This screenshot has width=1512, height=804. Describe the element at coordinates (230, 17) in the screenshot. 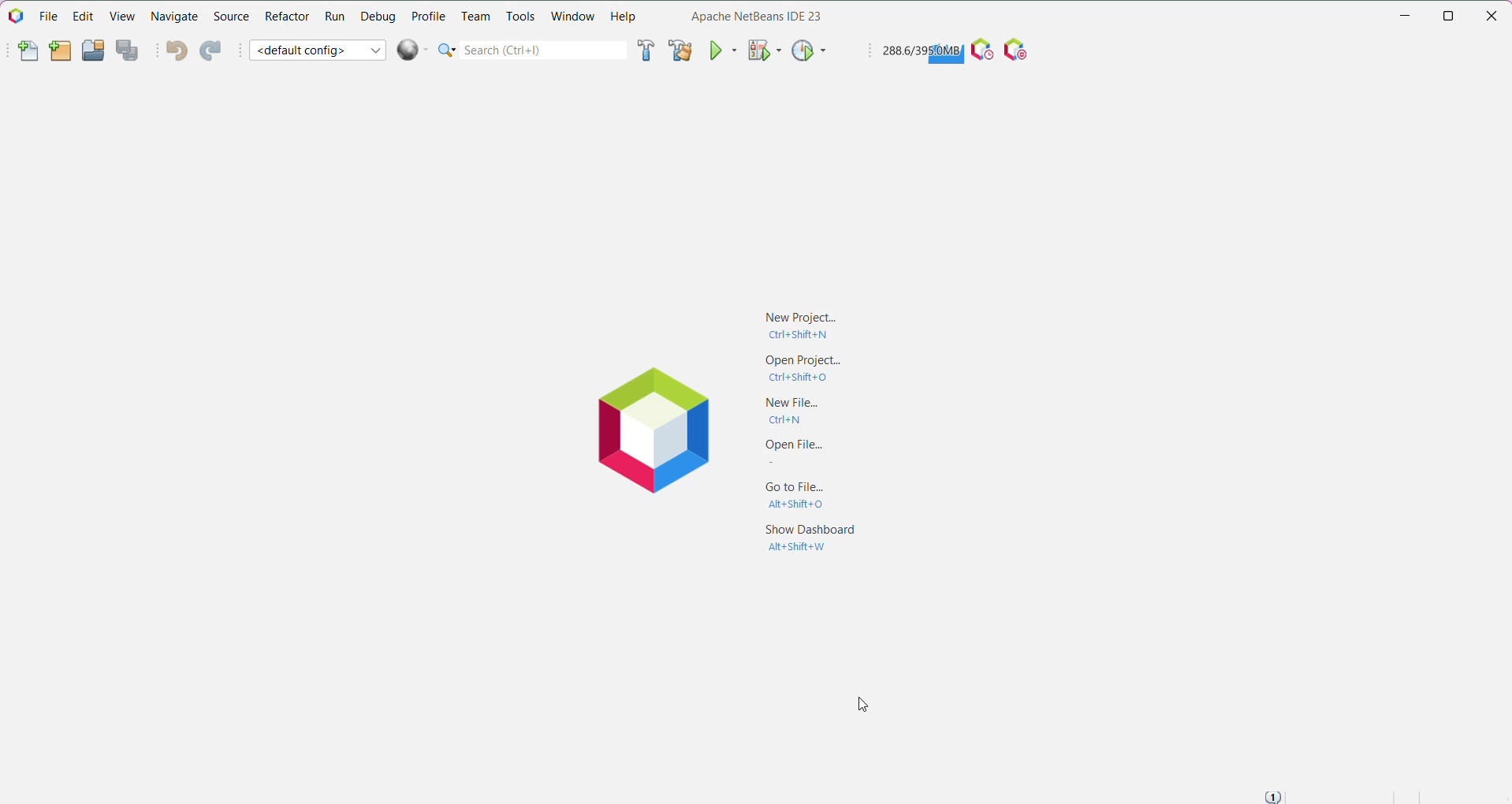

I see `Source` at that location.